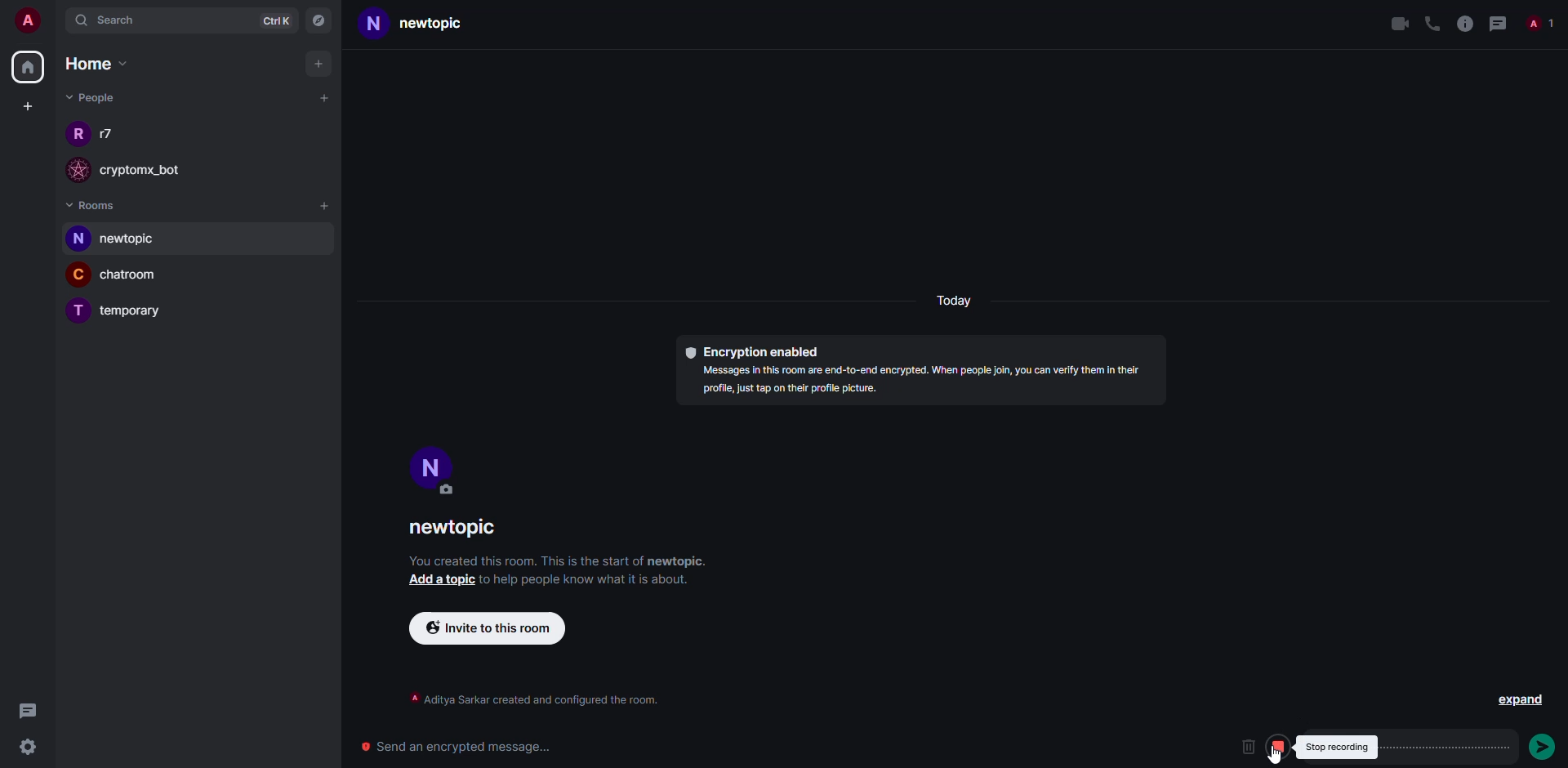 This screenshot has height=768, width=1568. Describe the element at coordinates (153, 170) in the screenshot. I see `bot` at that location.